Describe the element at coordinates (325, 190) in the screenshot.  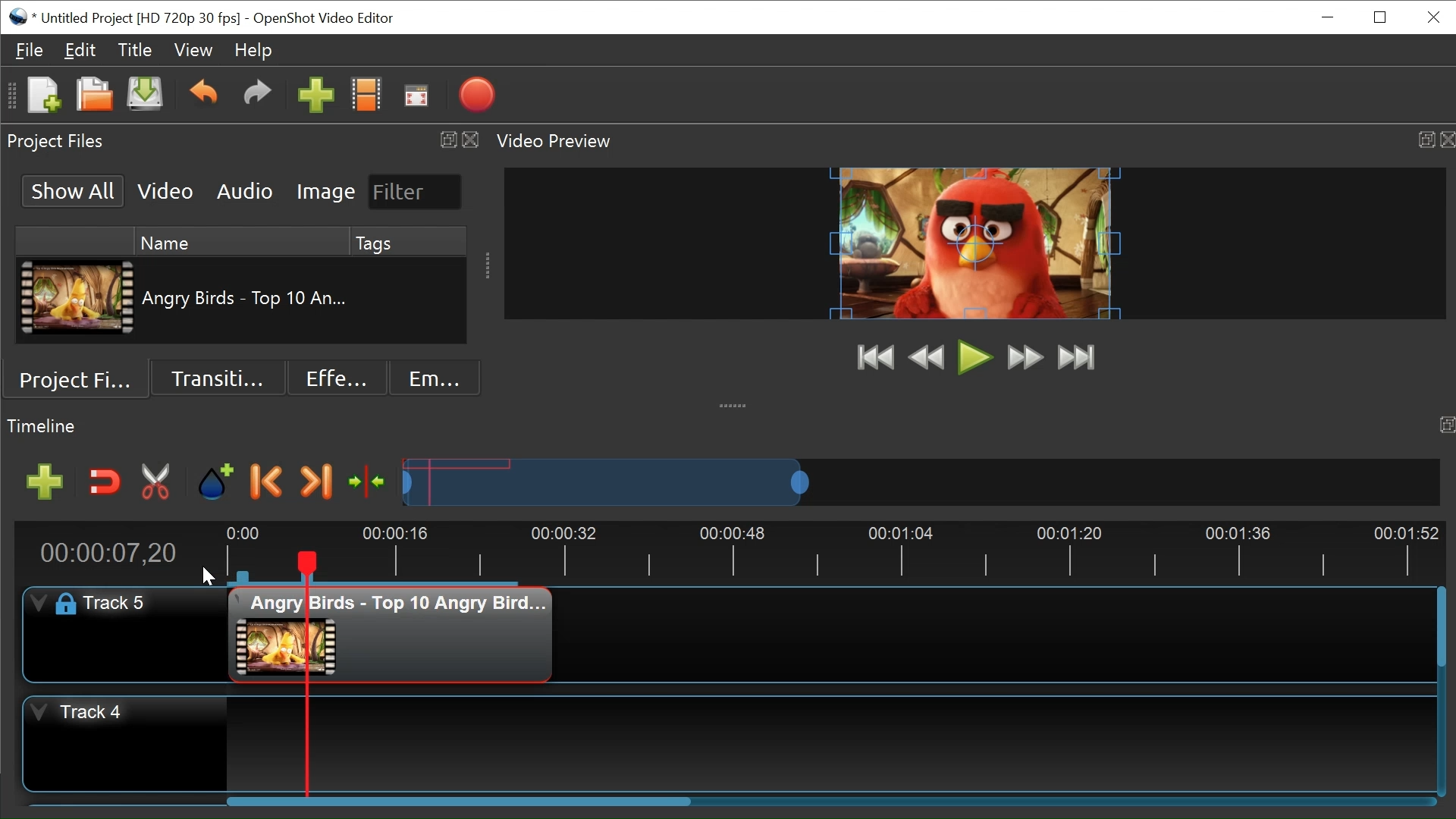
I see `Image` at that location.